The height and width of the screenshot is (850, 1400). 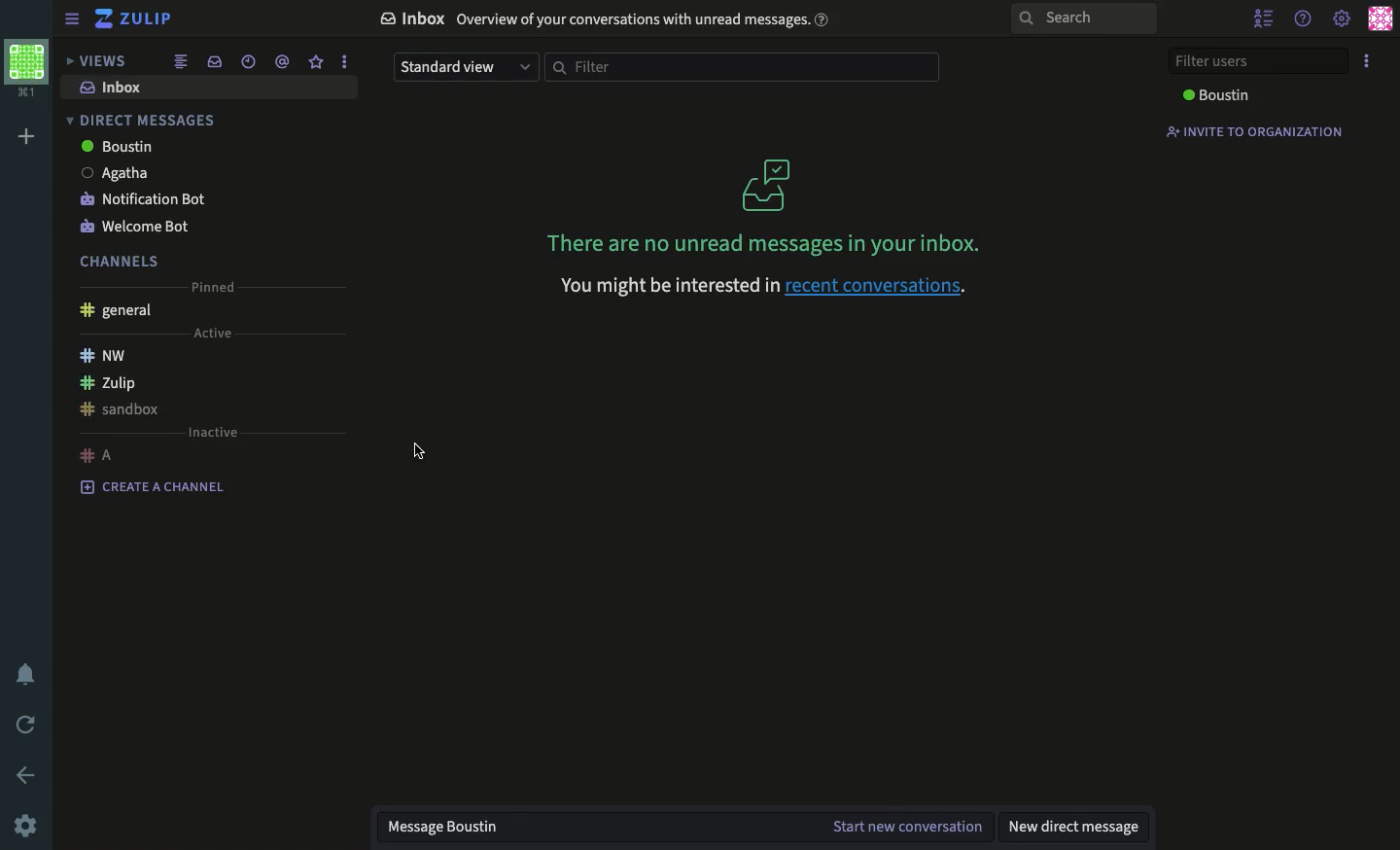 What do you see at coordinates (135, 408) in the screenshot?
I see `channel muted` at bounding box center [135, 408].